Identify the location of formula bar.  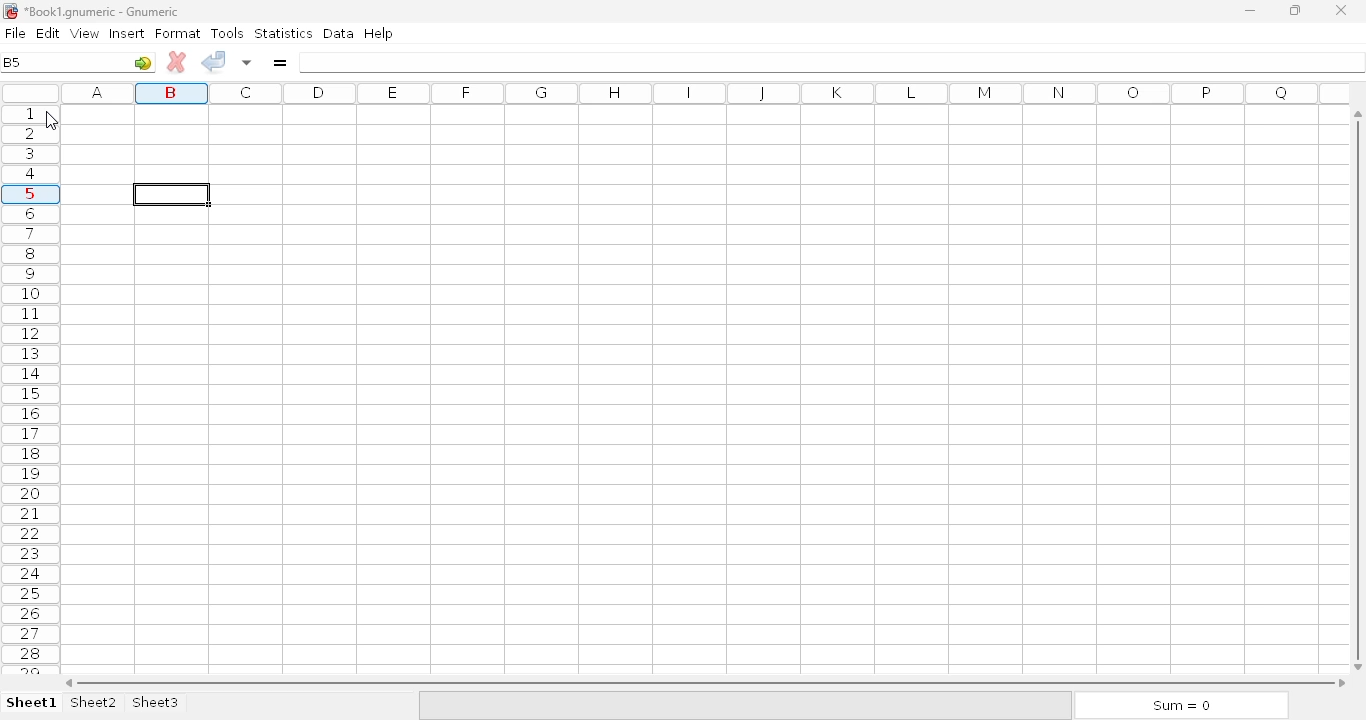
(833, 62).